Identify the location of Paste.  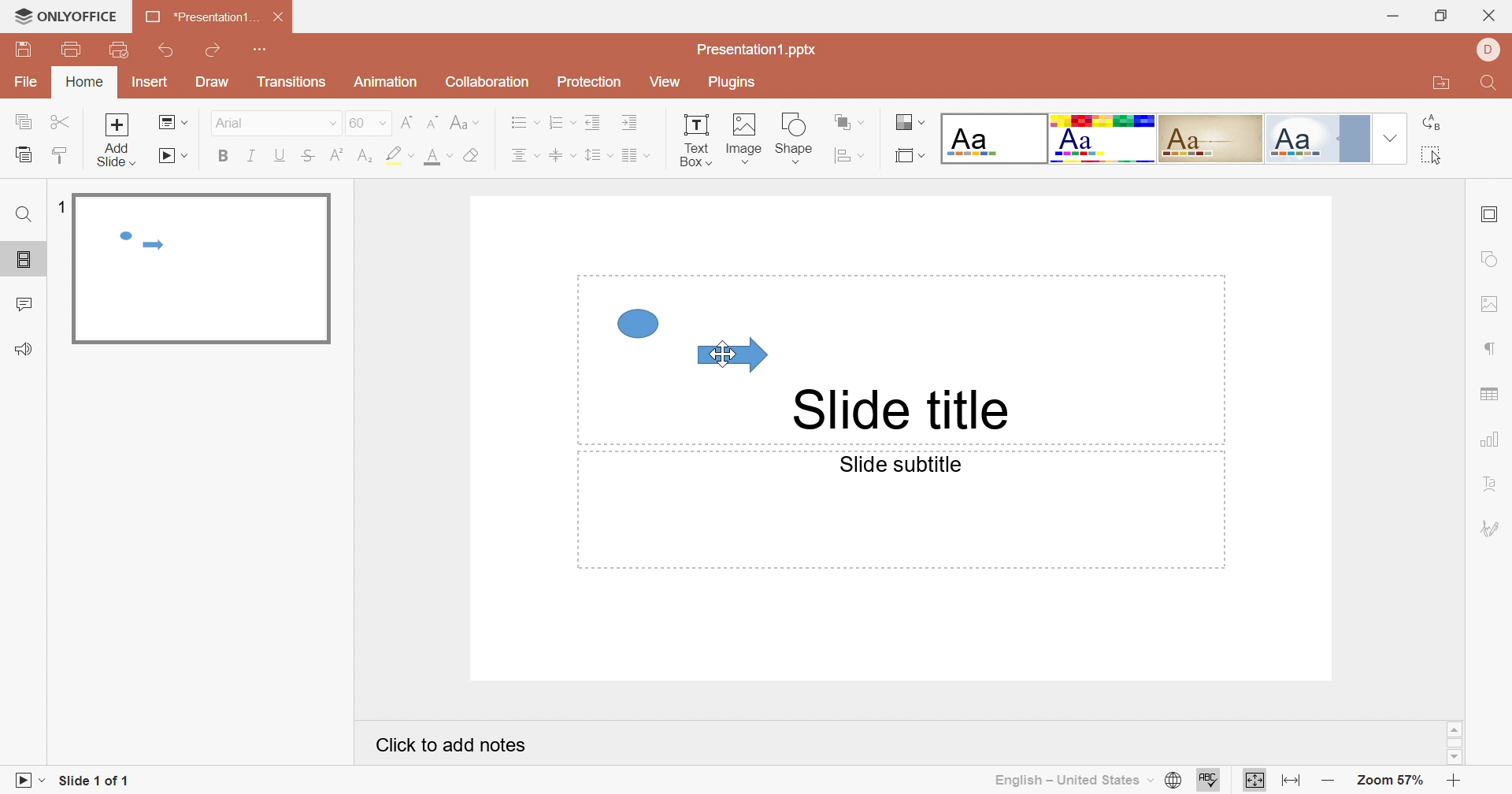
(24, 159).